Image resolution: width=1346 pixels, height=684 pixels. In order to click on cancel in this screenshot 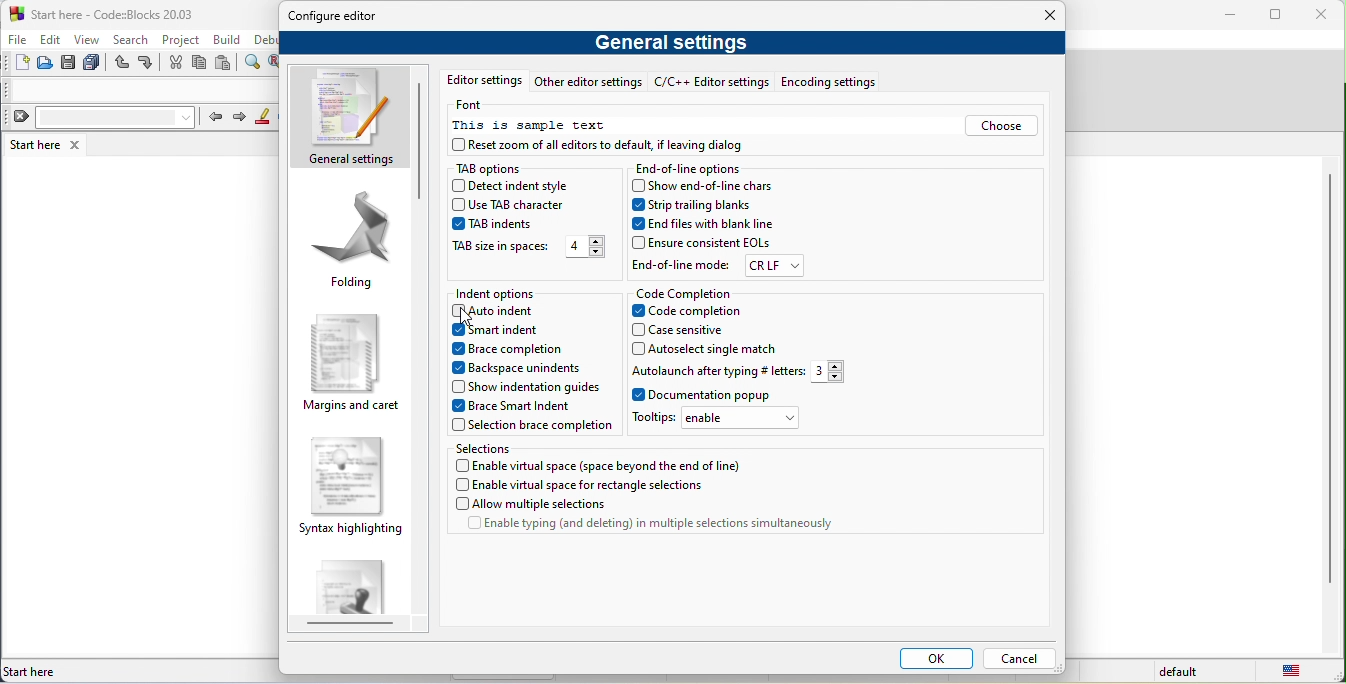, I will do `click(1018, 657)`.